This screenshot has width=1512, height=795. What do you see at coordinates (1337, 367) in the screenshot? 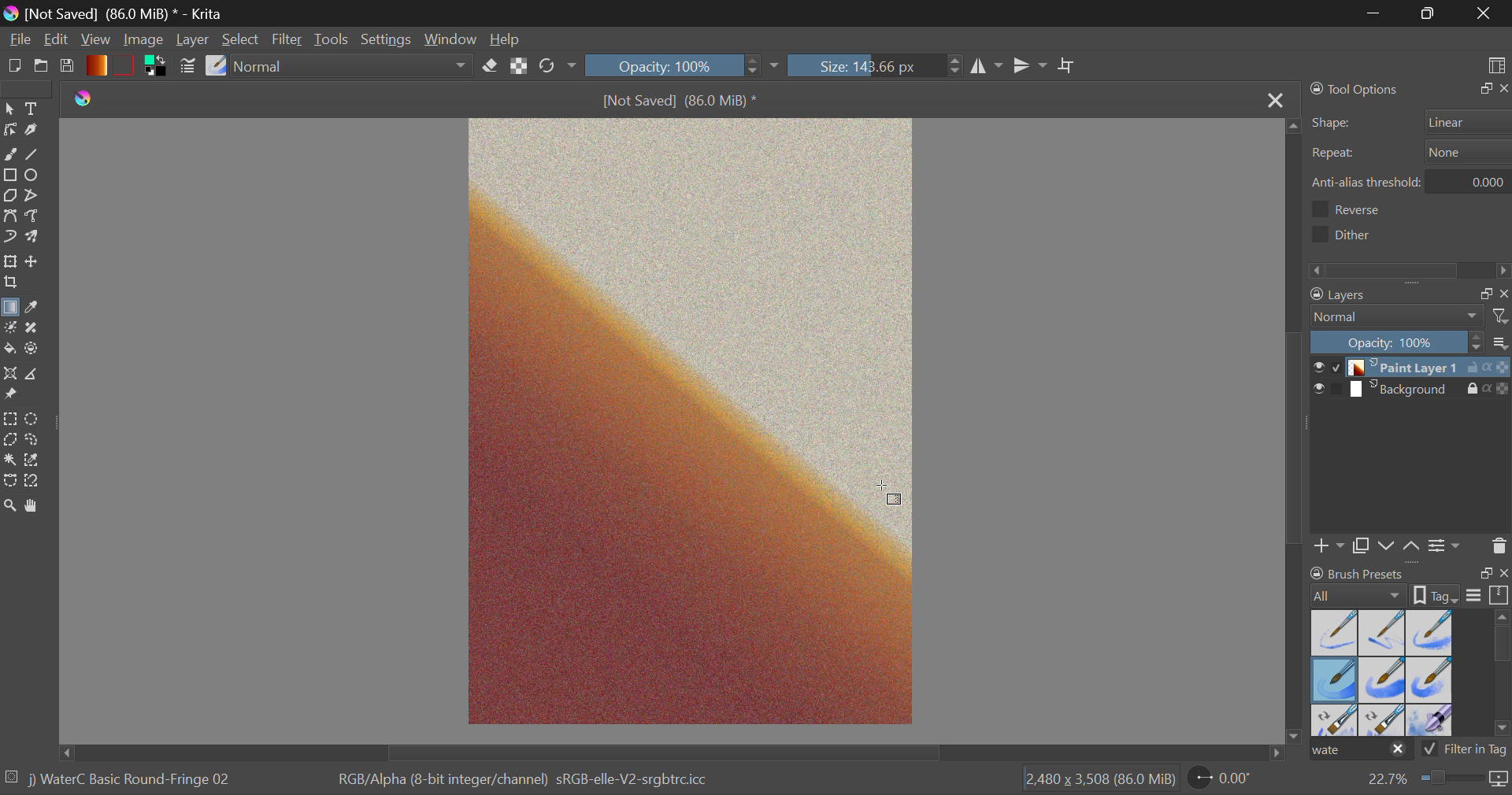
I see `disable paint layer` at bounding box center [1337, 367].